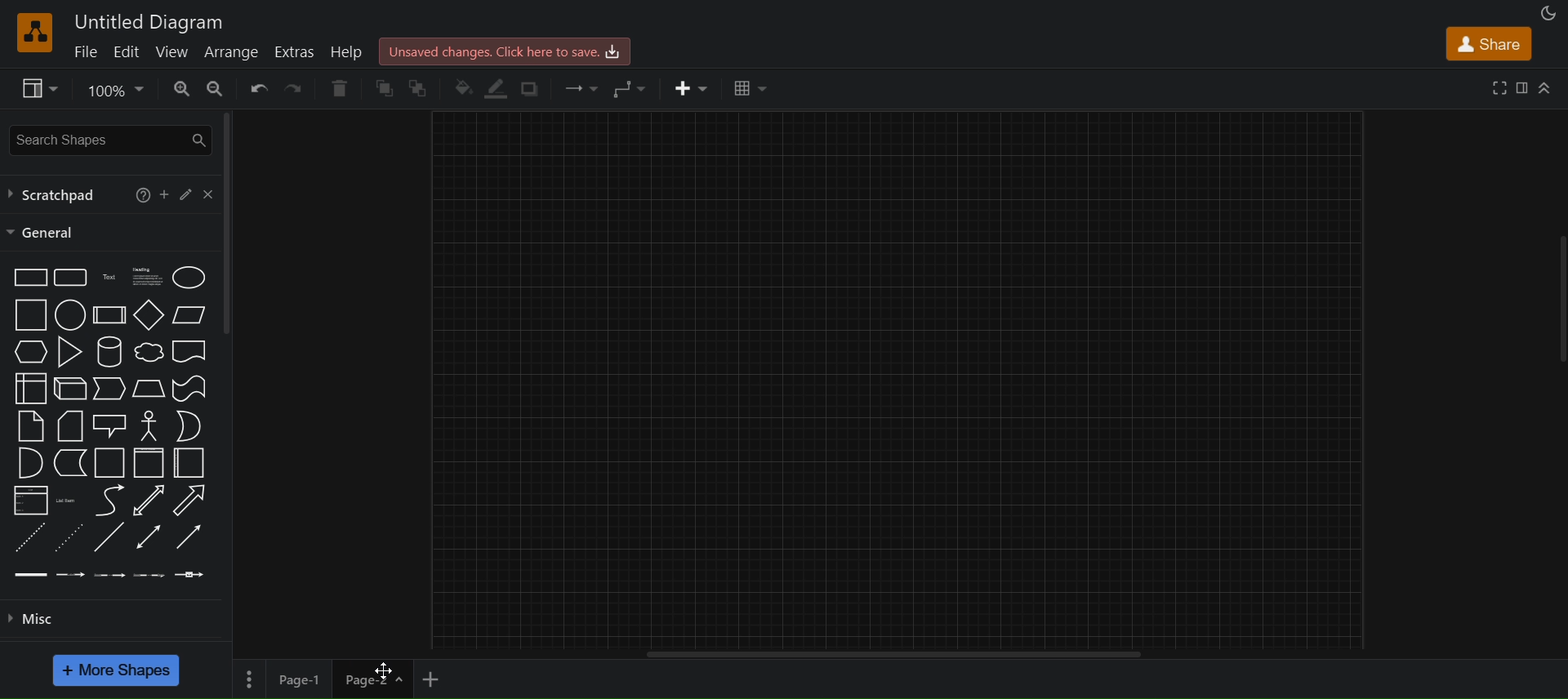  Describe the element at coordinates (163, 196) in the screenshot. I see `add` at that location.